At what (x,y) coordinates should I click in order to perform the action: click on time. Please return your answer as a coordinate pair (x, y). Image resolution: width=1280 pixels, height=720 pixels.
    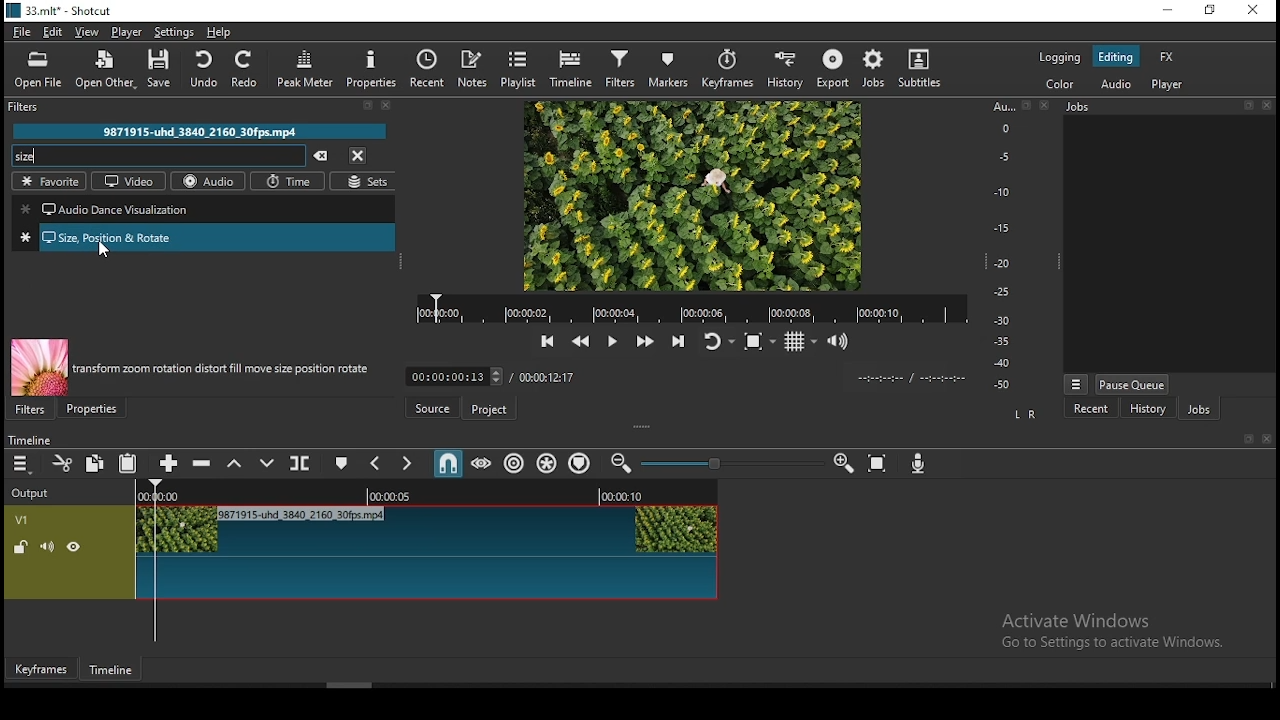
    Looking at the image, I should click on (289, 181).